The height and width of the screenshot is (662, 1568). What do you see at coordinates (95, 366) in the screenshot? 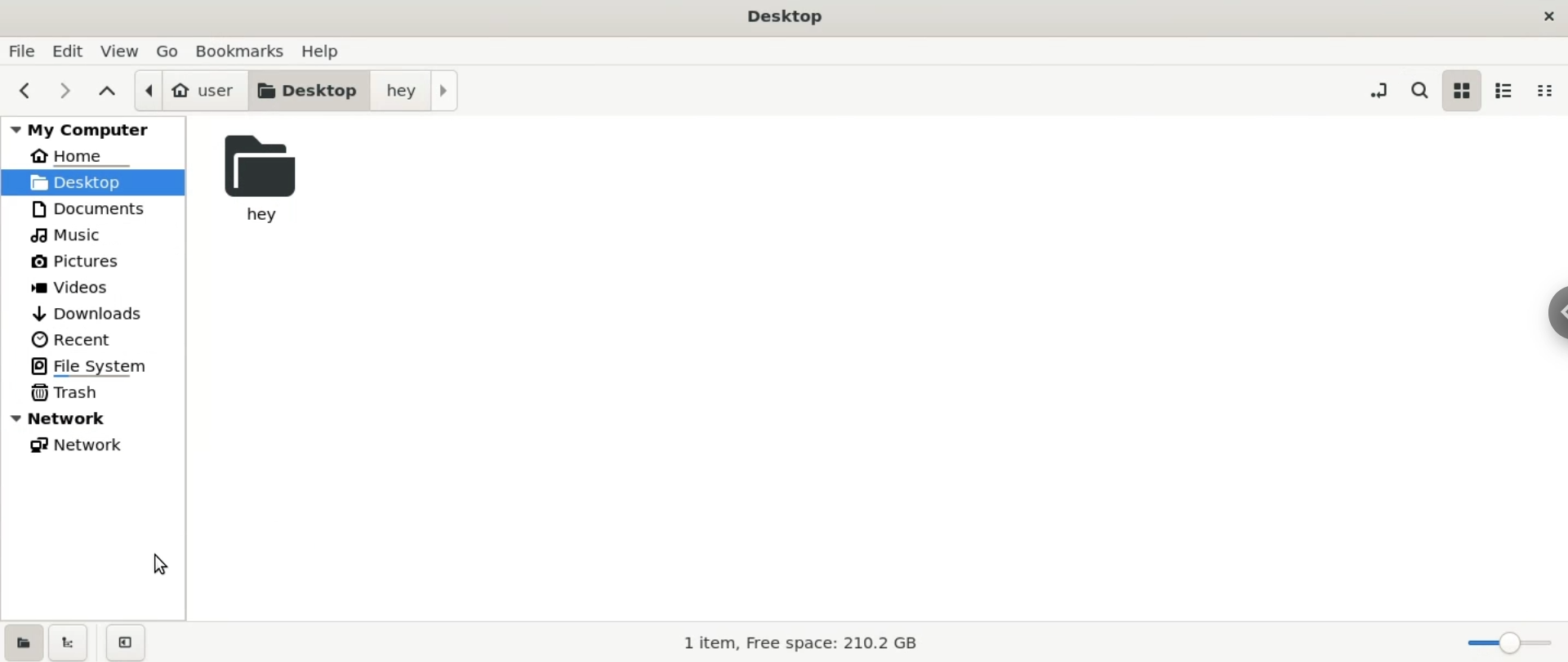
I see `file system` at bounding box center [95, 366].